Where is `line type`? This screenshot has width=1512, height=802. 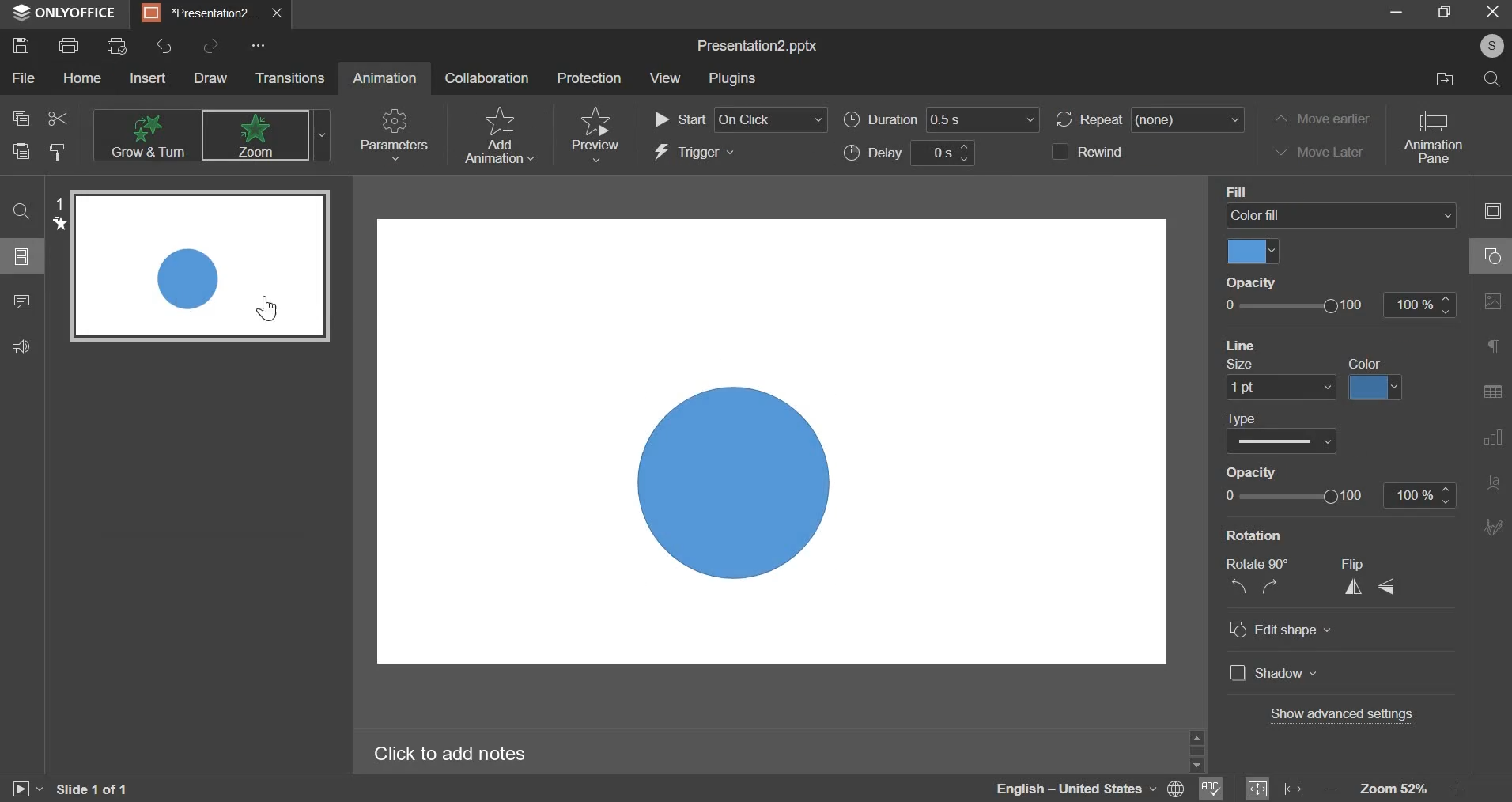 line type is located at coordinates (1283, 441).